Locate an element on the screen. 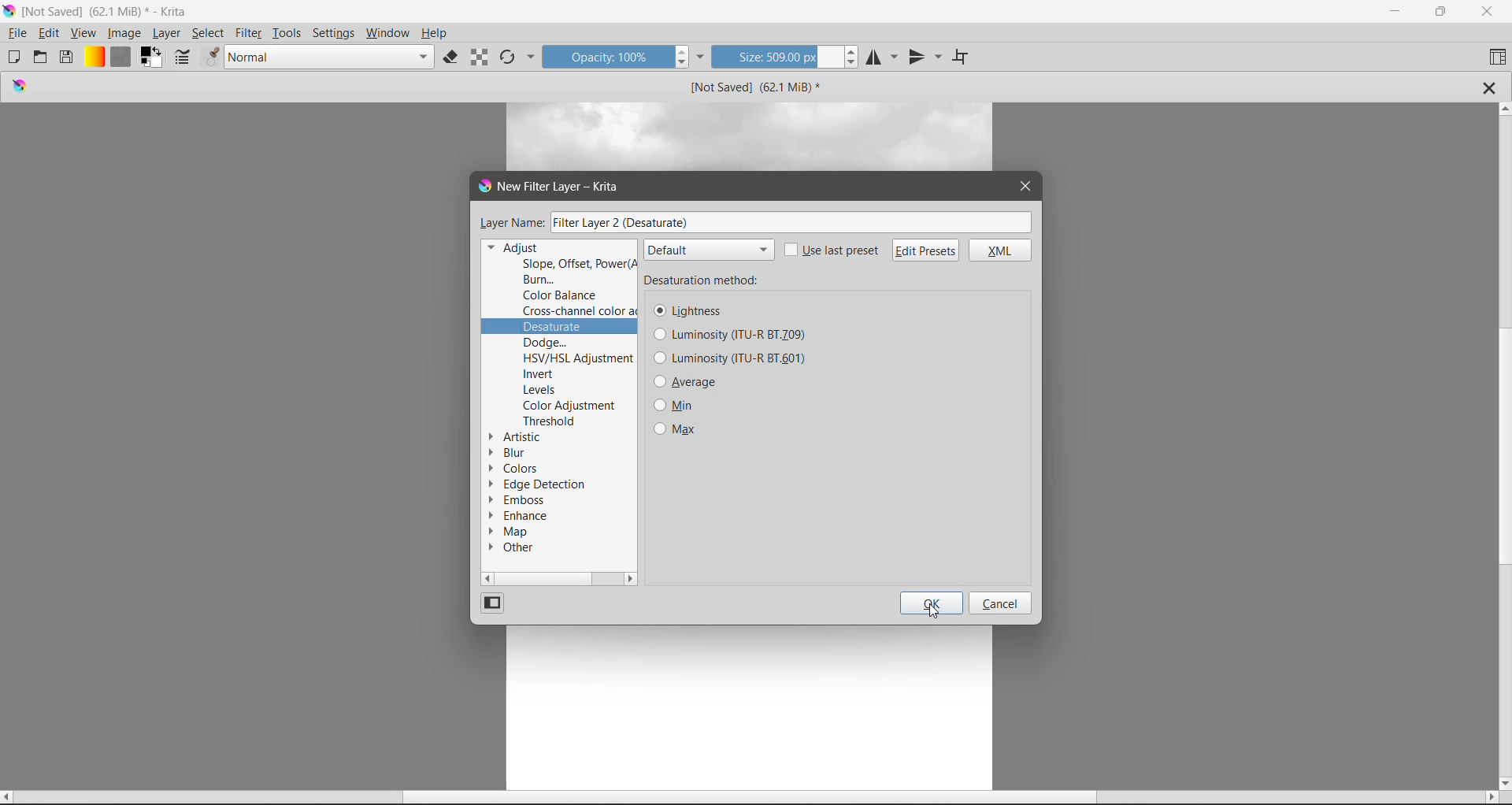  Close is located at coordinates (1489, 12).